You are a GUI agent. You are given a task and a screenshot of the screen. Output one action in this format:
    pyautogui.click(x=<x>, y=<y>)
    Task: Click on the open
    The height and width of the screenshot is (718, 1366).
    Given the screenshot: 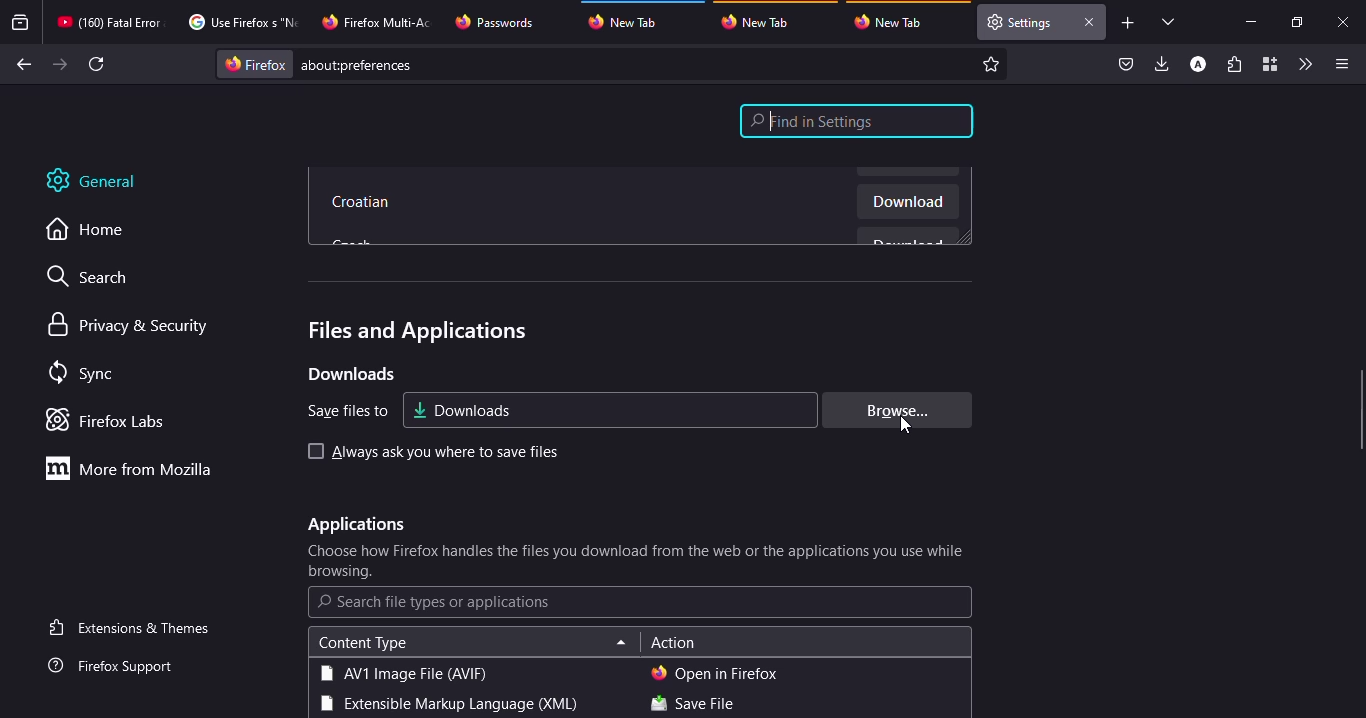 What is the action you would take?
    pyautogui.click(x=715, y=673)
    